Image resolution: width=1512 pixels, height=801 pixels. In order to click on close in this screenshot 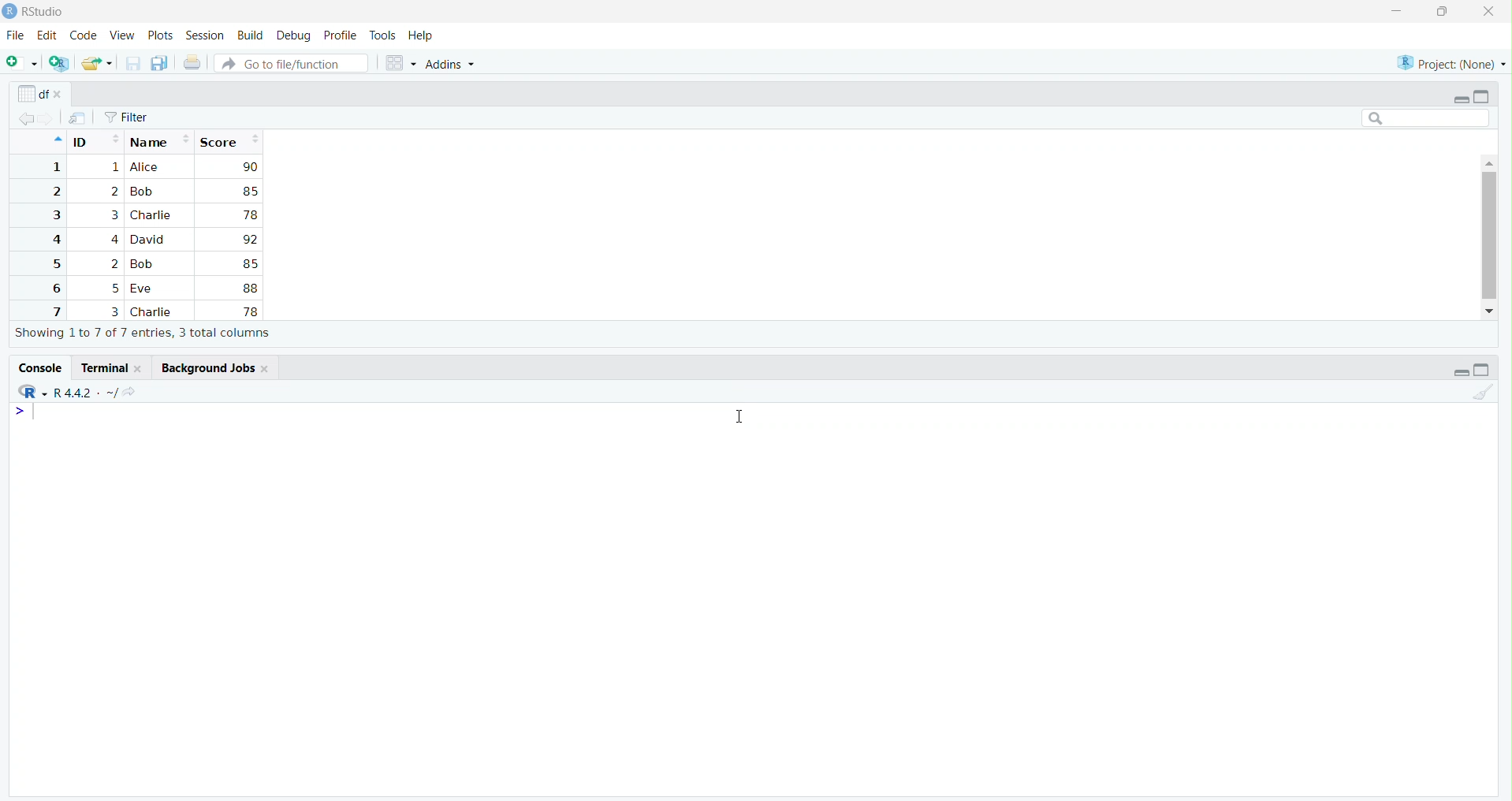, I will do `click(266, 368)`.